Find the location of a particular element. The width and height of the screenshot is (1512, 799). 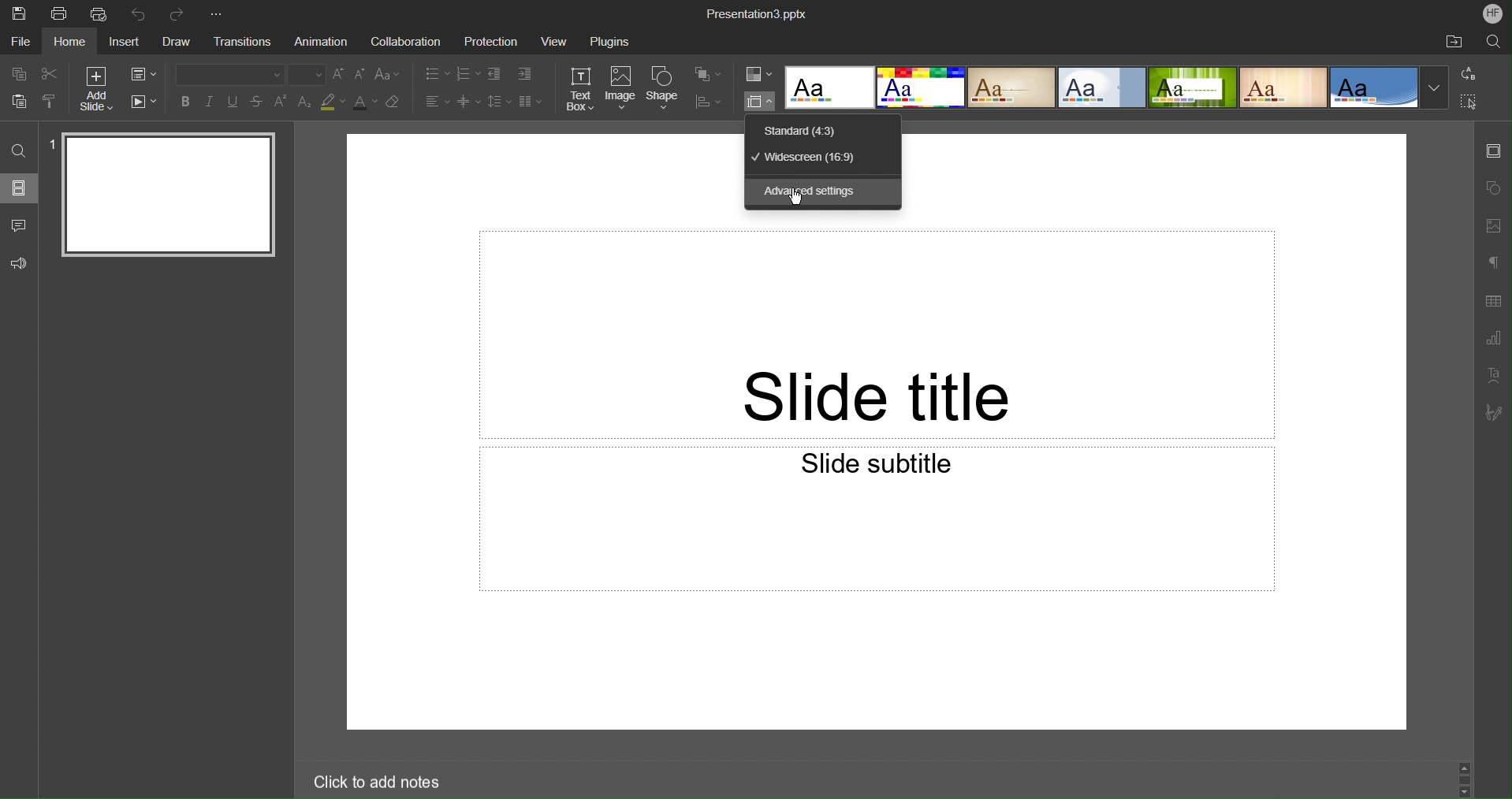

Animation is located at coordinates (323, 42).